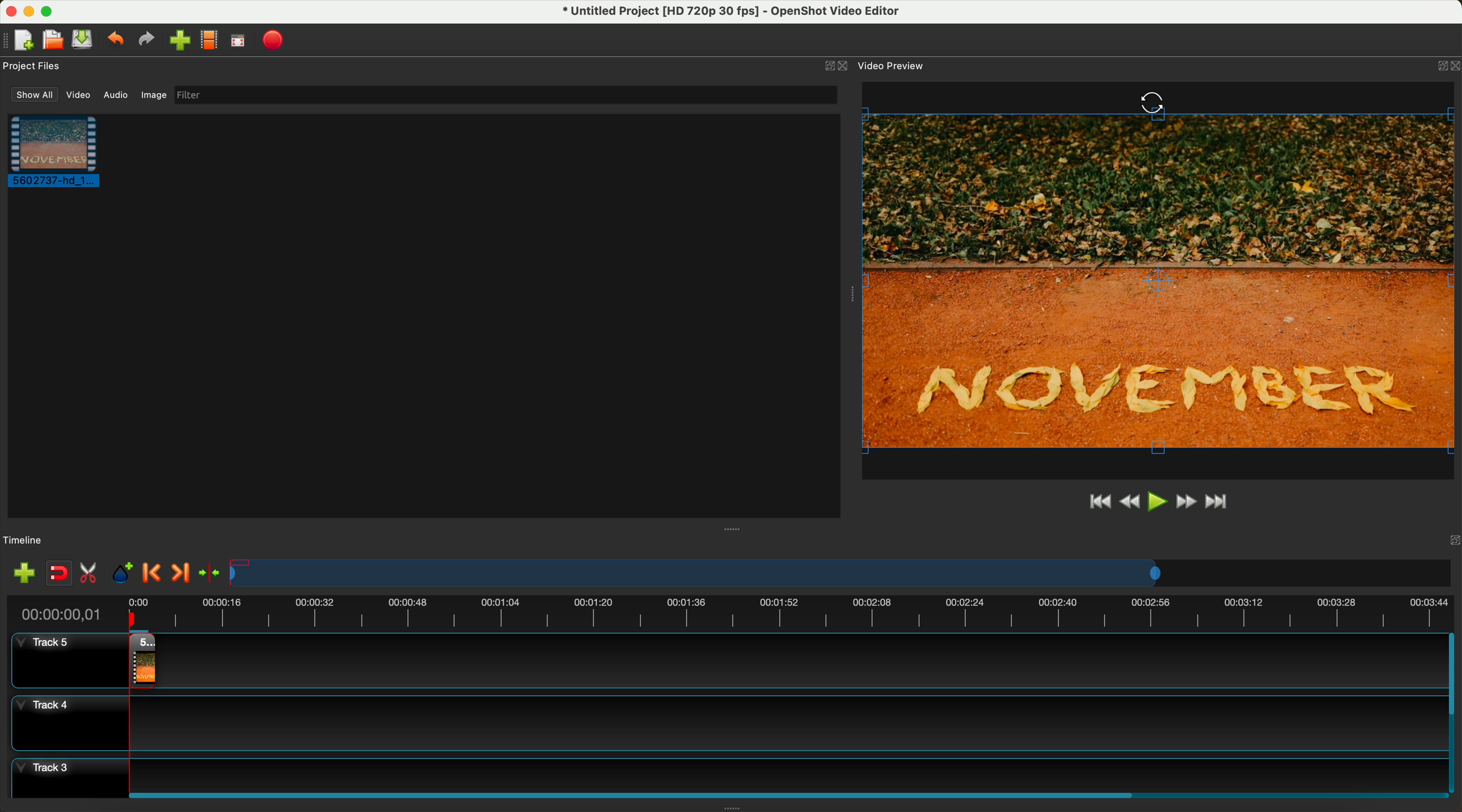 The width and height of the screenshot is (1462, 812). What do you see at coordinates (845, 67) in the screenshot?
I see `close` at bounding box center [845, 67].